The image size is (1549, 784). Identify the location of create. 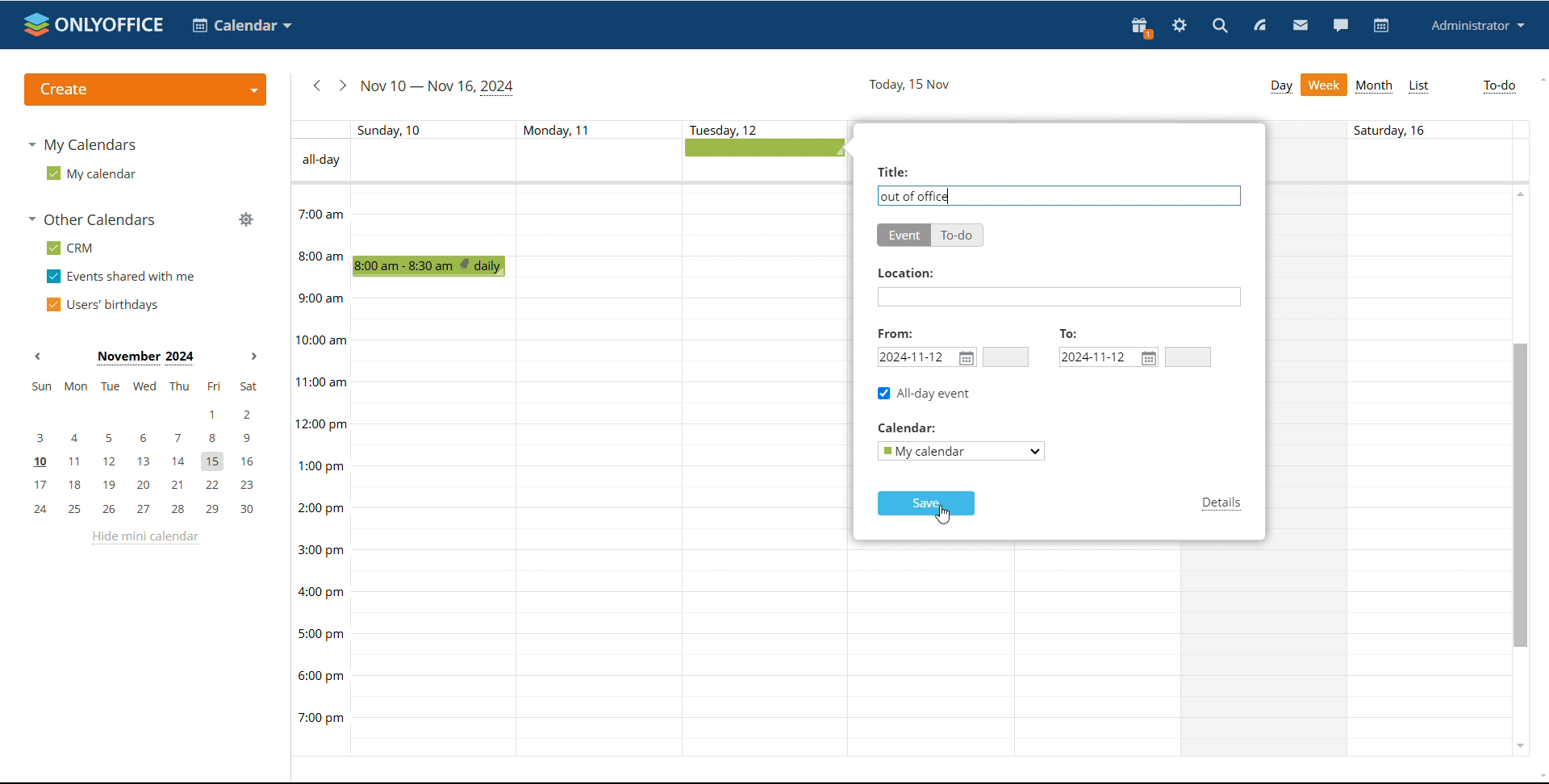
(144, 90).